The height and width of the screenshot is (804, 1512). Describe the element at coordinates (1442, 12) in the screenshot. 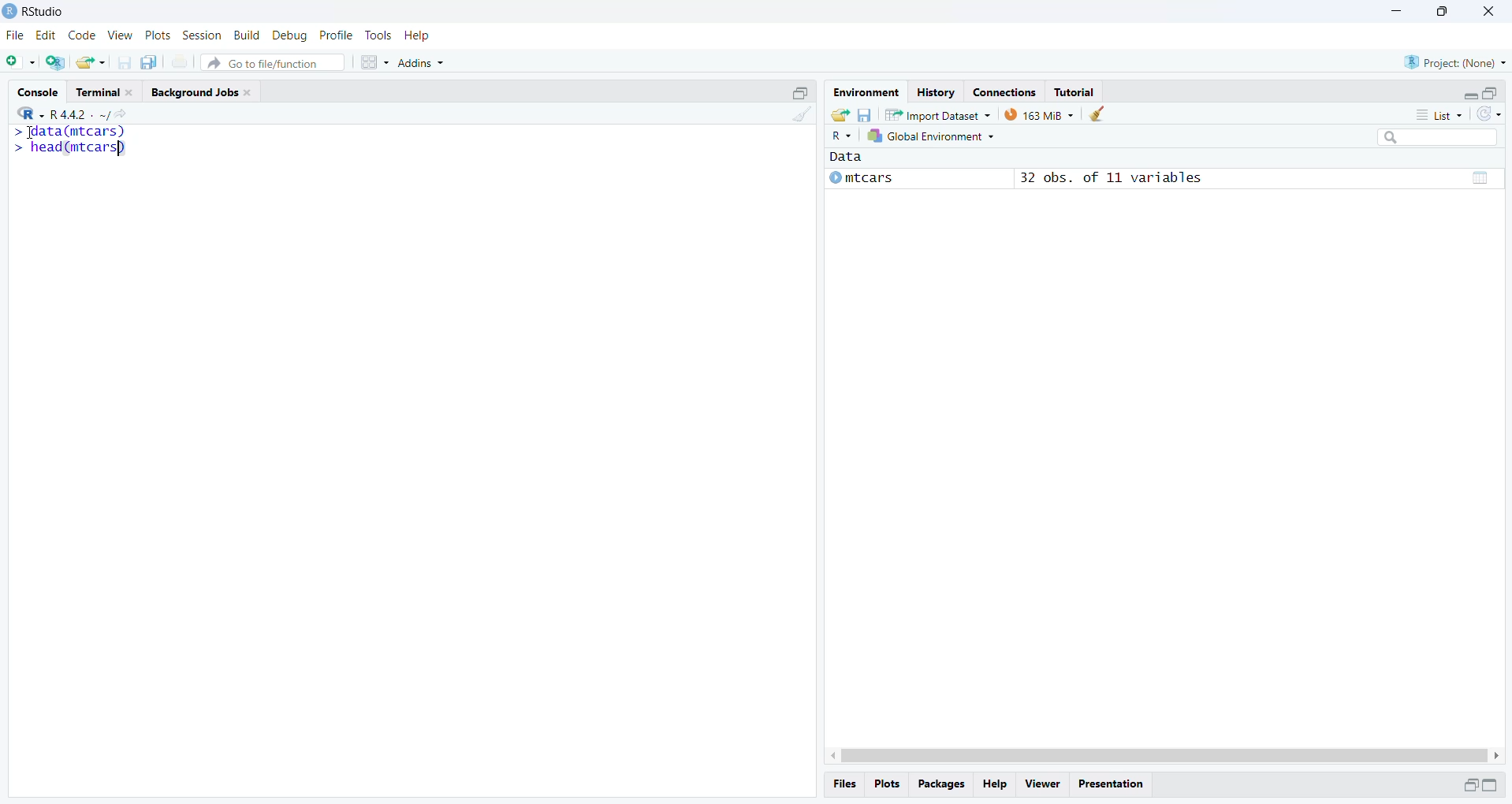

I see `maximise` at that location.